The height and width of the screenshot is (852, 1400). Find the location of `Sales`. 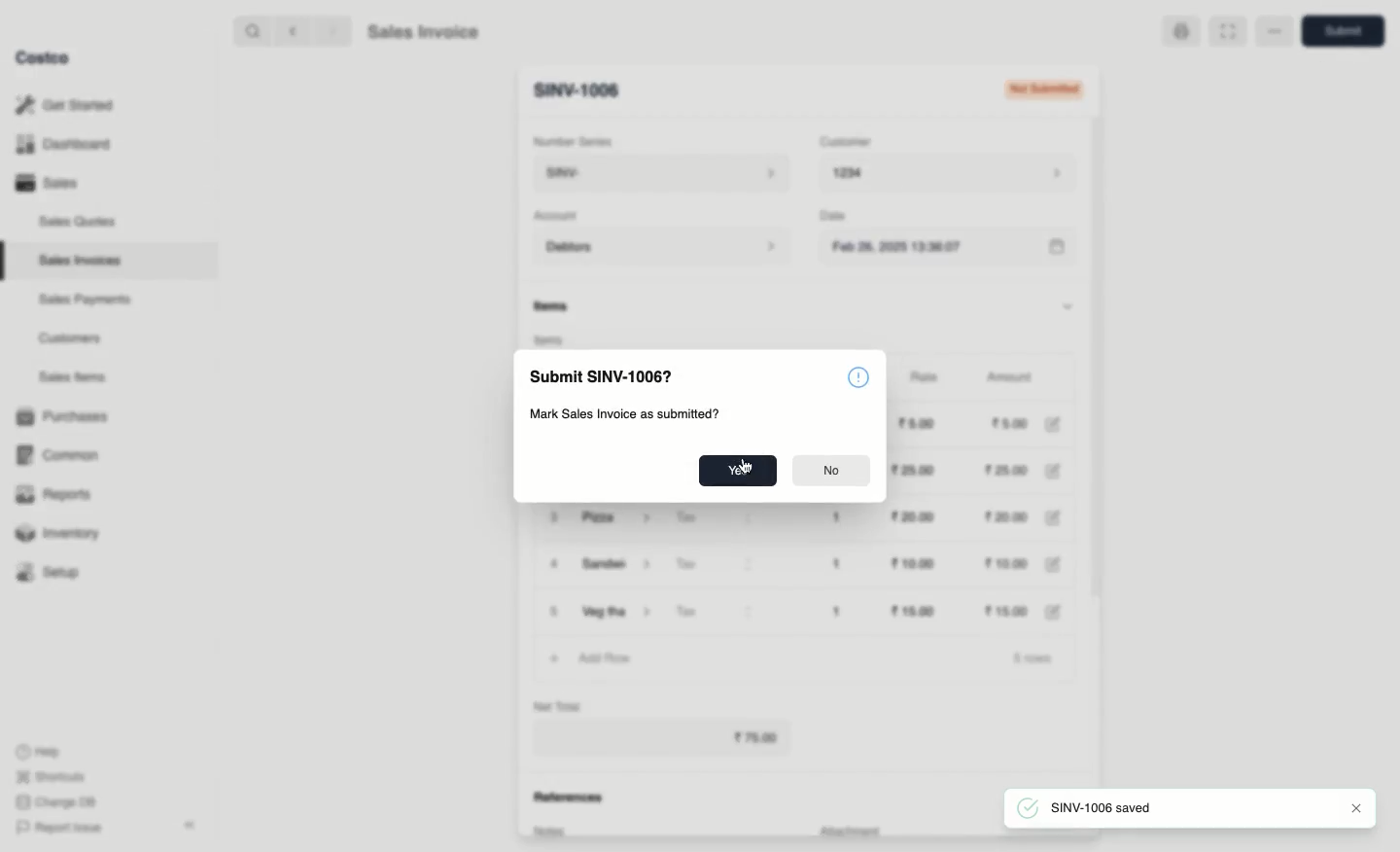

Sales is located at coordinates (46, 183).